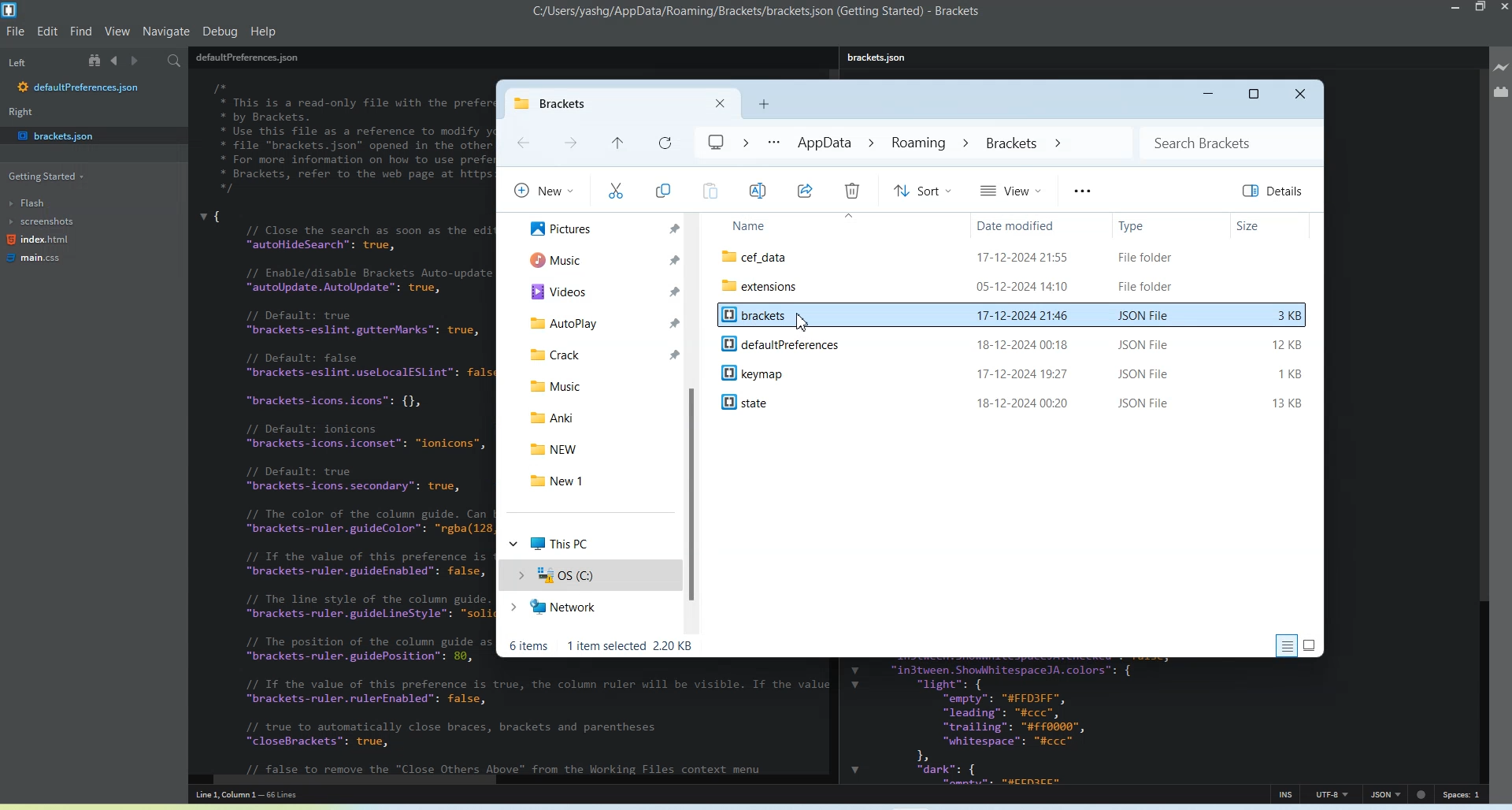 Image resolution: width=1512 pixels, height=810 pixels. Describe the element at coordinates (1286, 645) in the screenshot. I see `Display information ` at that location.